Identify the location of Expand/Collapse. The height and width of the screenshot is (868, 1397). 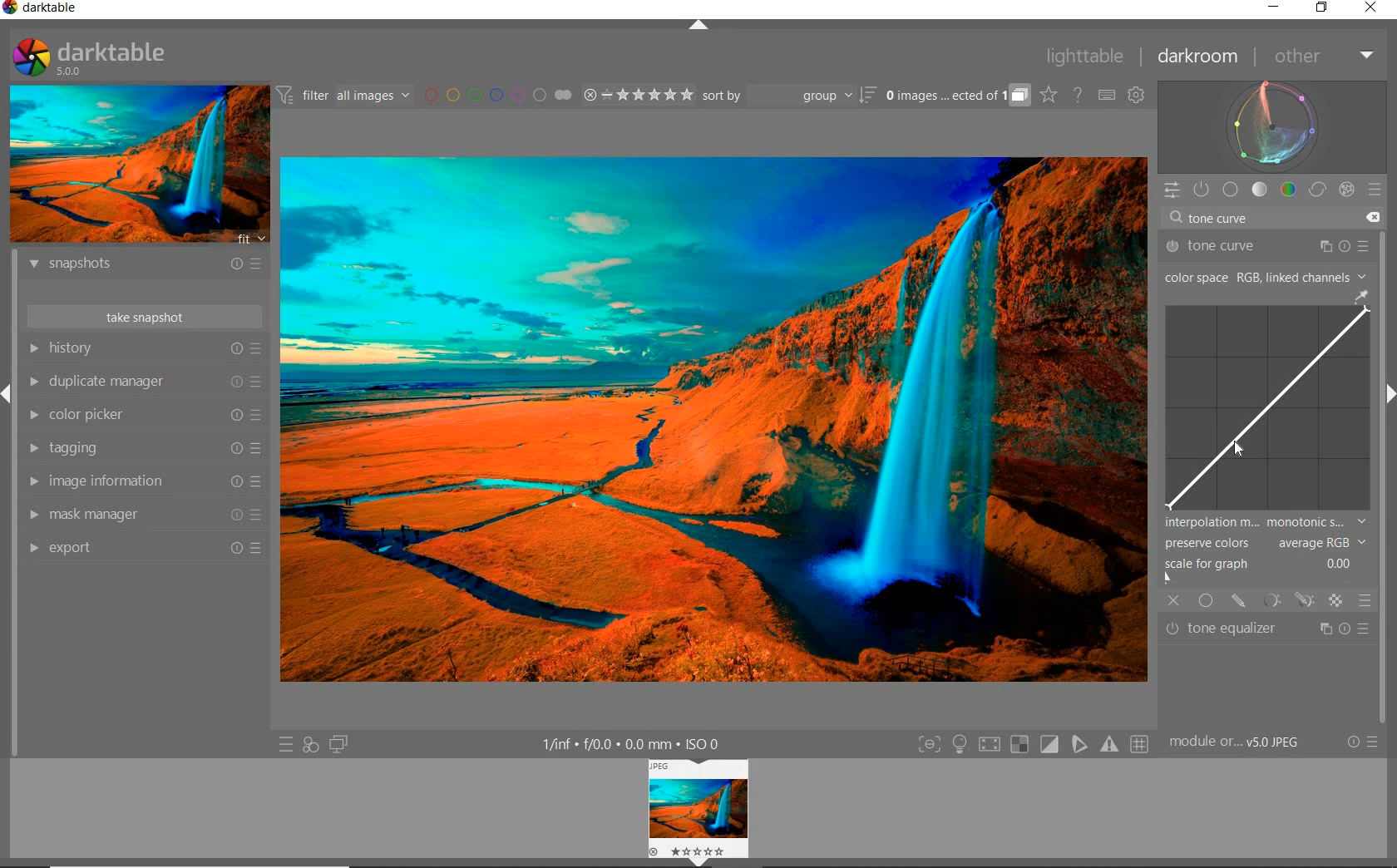
(1389, 397).